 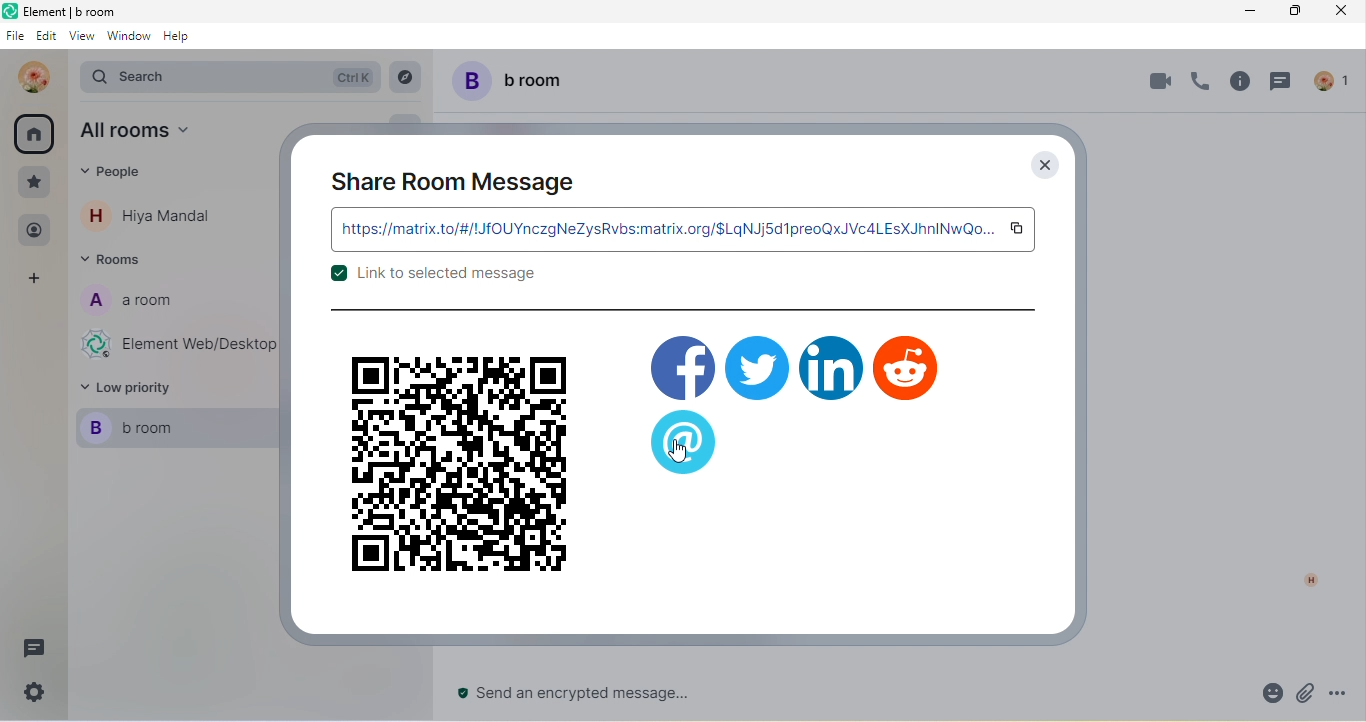 What do you see at coordinates (1264, 694) in the screenshot?
I see `emoji` at bounding box center [1264, 694].